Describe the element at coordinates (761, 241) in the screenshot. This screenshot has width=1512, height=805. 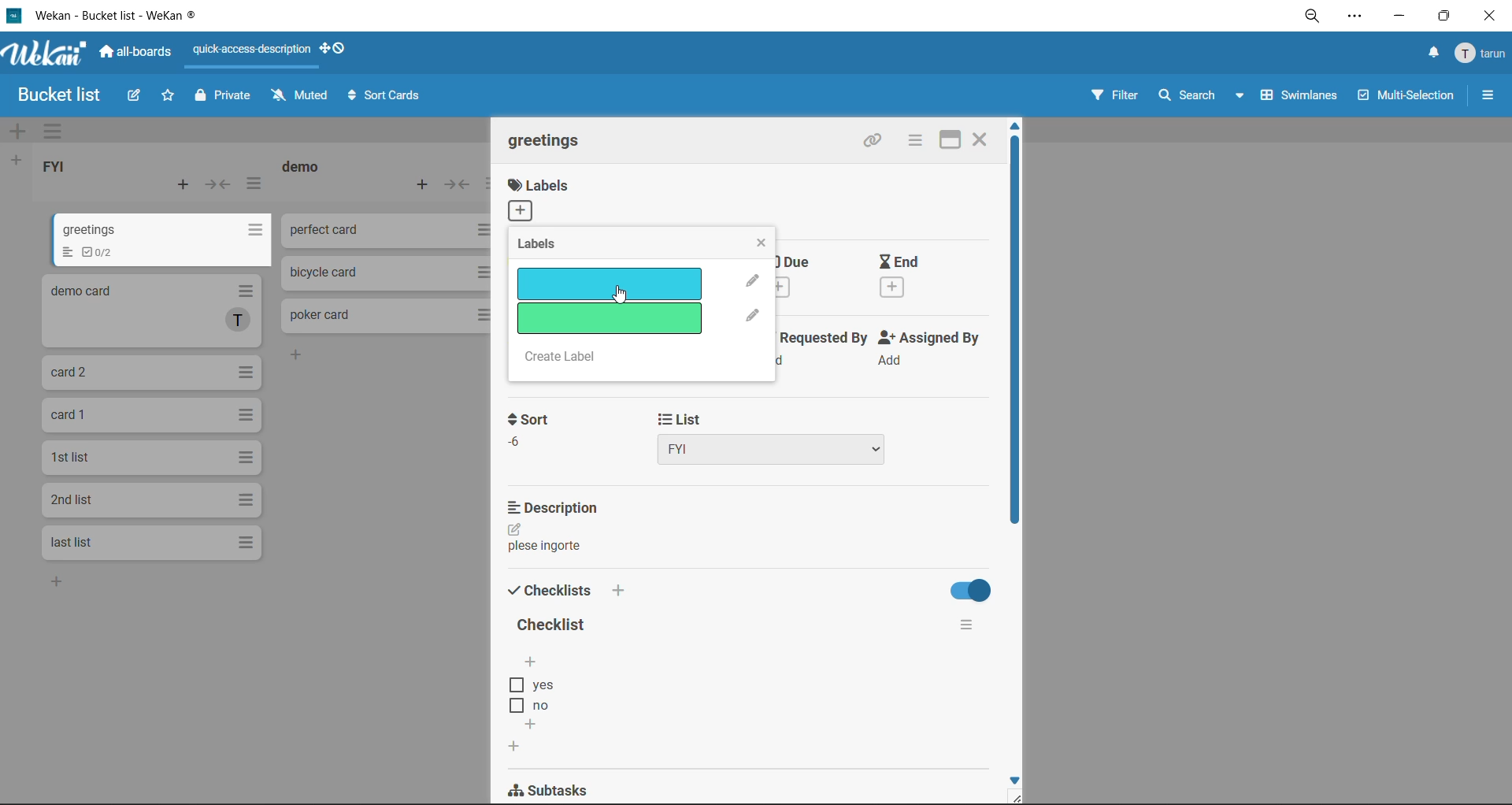
I see `close` at that location.